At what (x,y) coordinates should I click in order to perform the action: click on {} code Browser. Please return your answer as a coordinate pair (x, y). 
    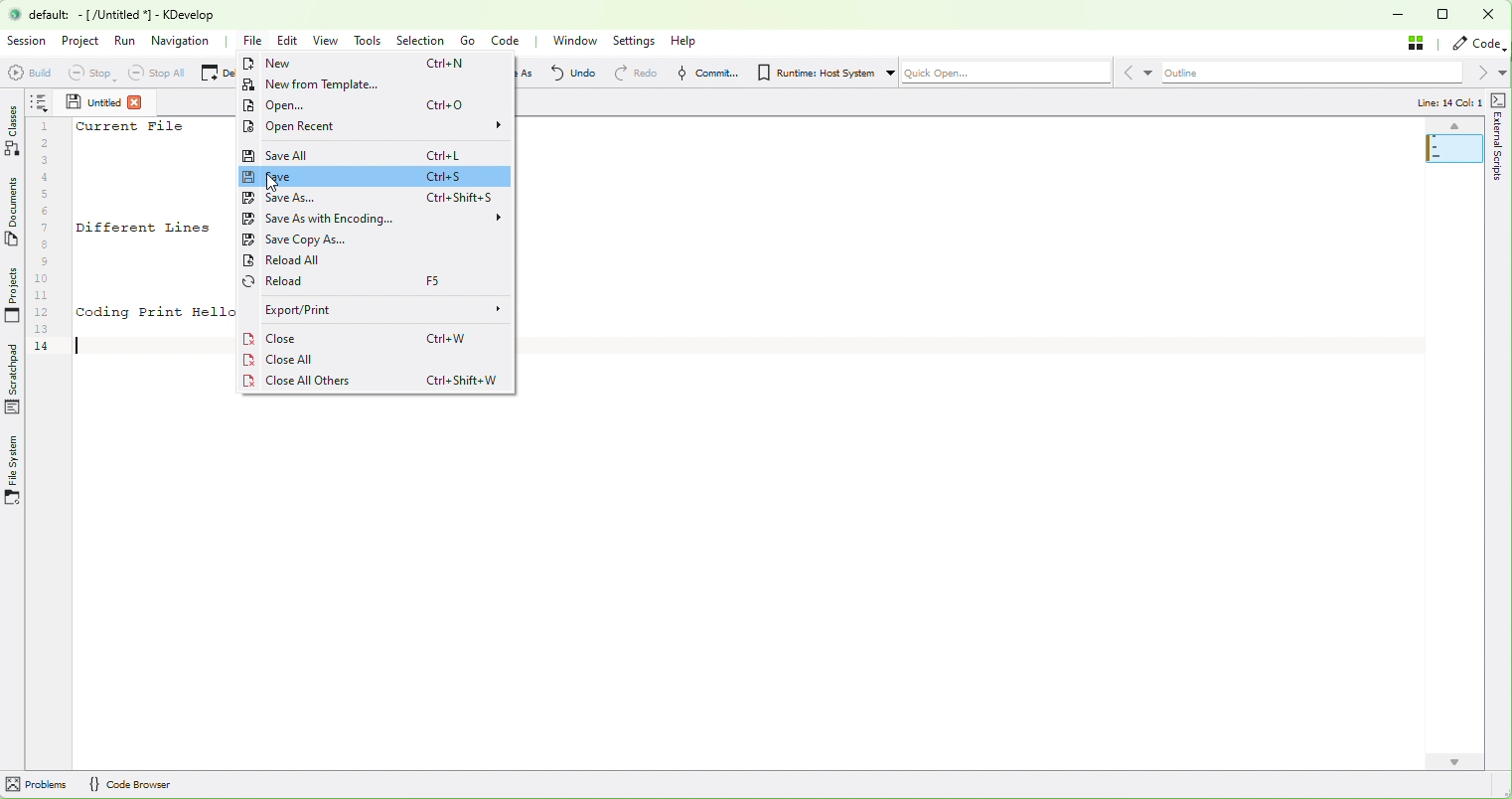
    Looking at the image, I should click on (129, 783).